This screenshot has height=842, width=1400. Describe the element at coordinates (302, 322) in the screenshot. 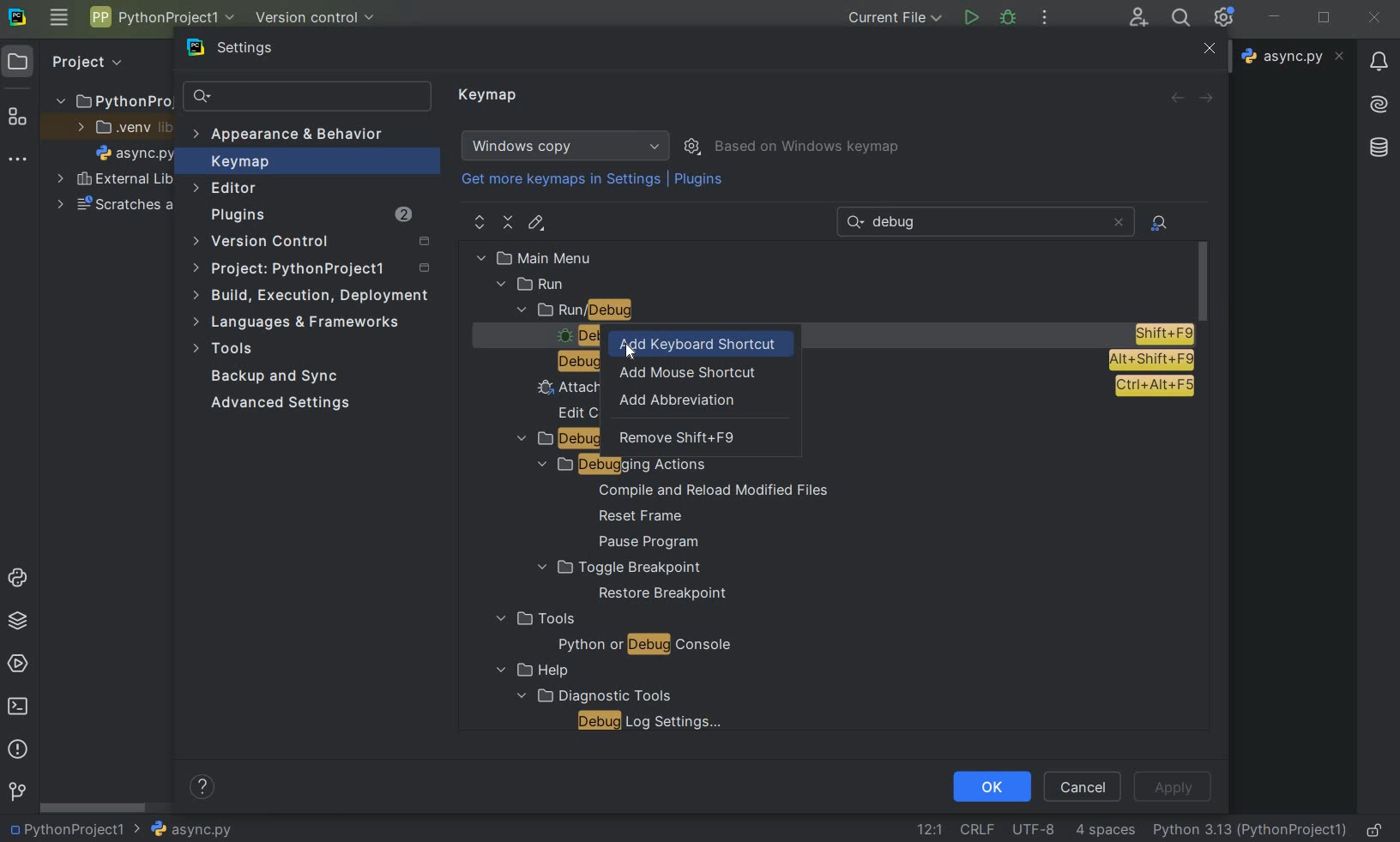

I see `Languages and Frameworks` at that location.